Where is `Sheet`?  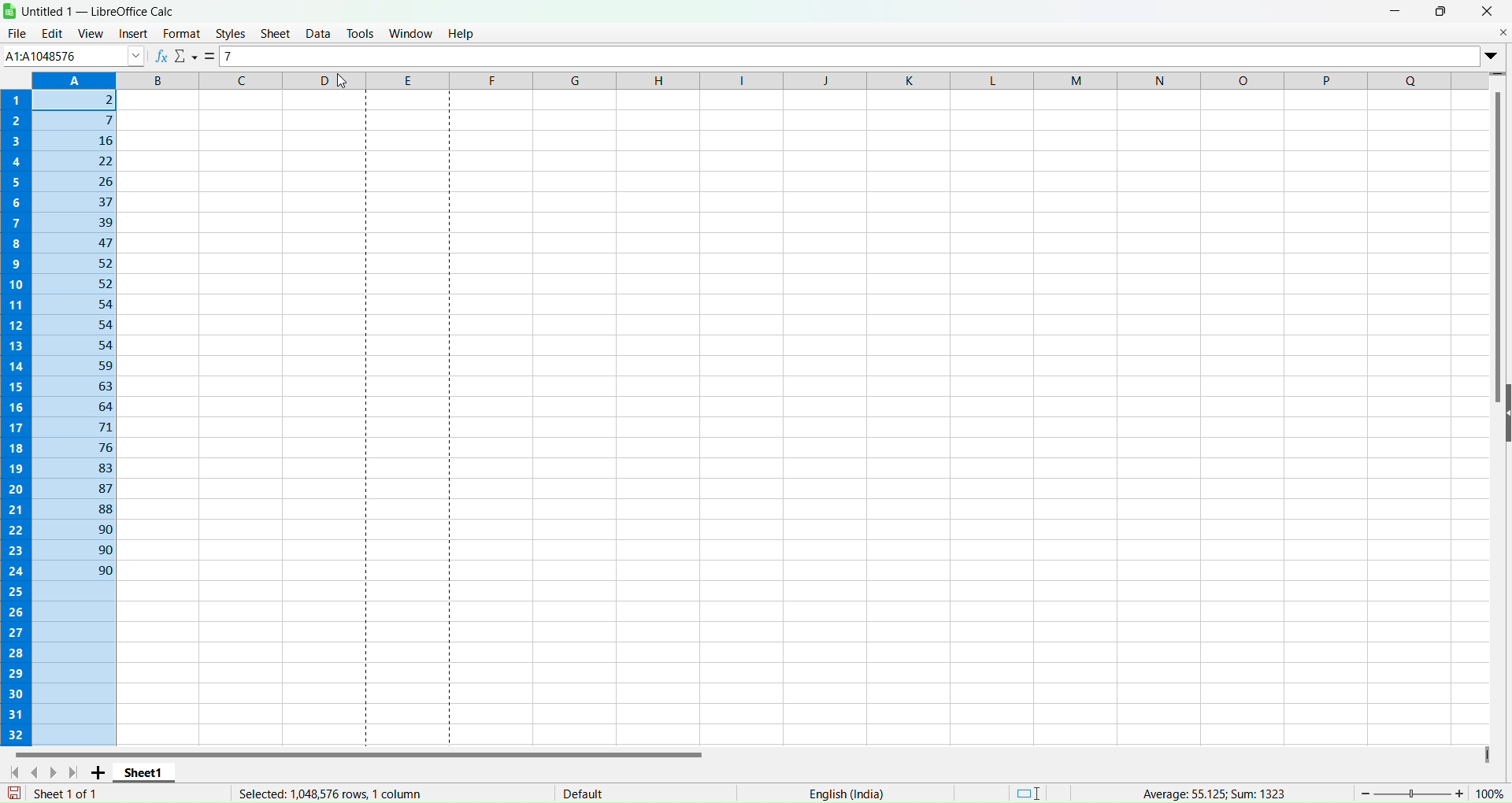
Sheet is located at coordinates (276, 33).